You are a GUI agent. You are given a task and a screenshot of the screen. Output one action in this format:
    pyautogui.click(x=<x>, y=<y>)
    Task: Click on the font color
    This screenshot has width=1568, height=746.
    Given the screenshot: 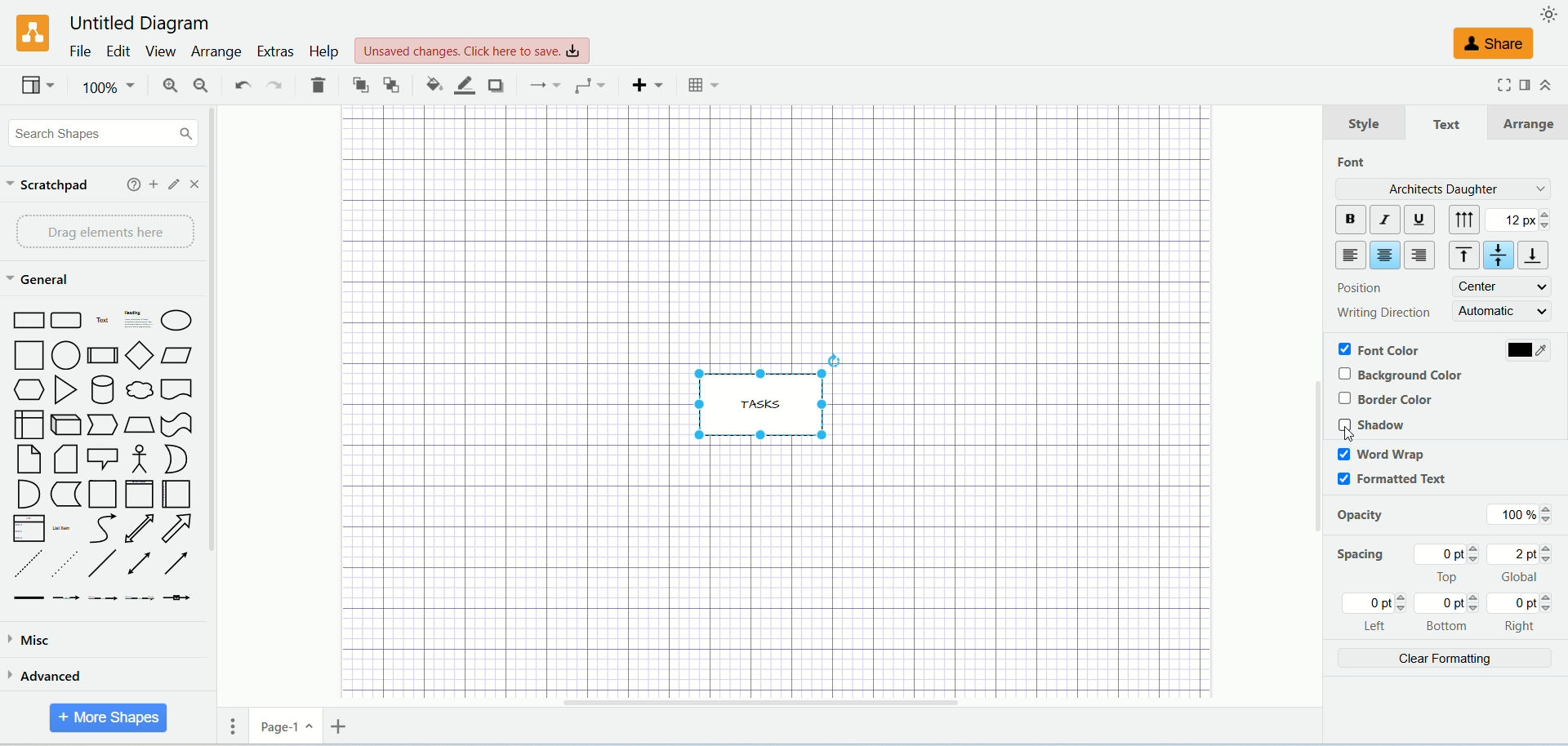 What is the action you would take?
    pyautogui.click(x=1380, y=349)
    